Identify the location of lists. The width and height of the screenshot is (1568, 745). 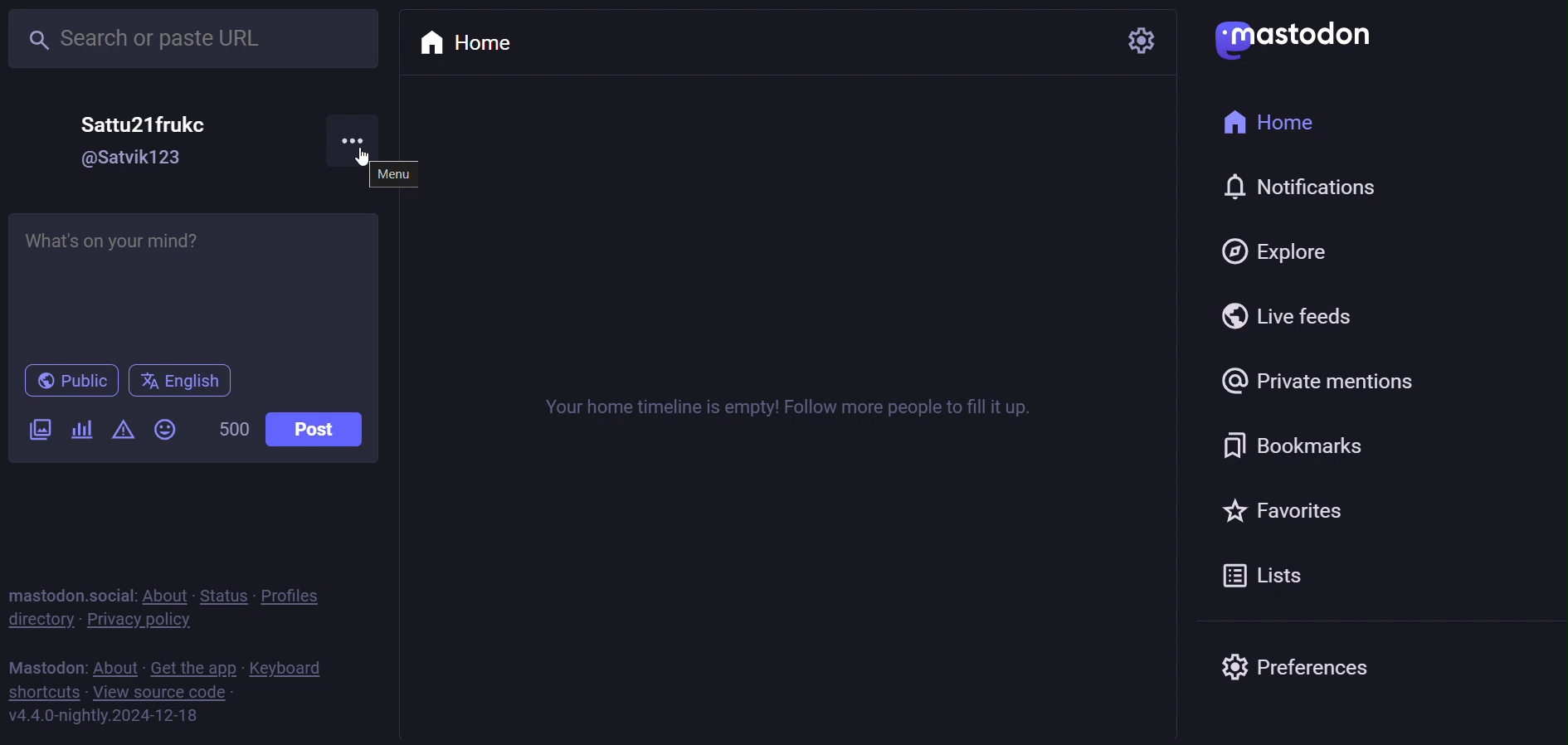
(1282, 573).